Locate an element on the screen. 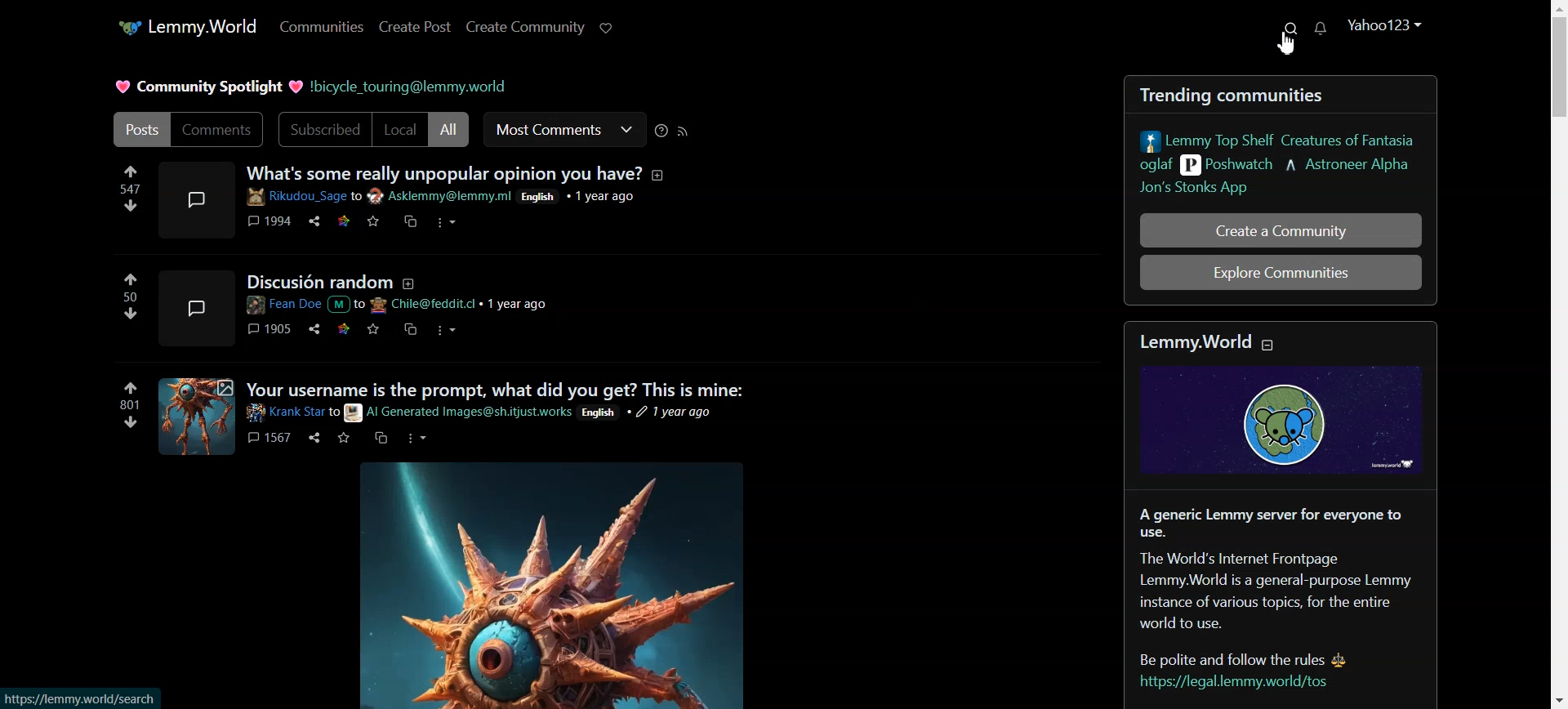  Lemmy world is located at coordinates (1287, 400).